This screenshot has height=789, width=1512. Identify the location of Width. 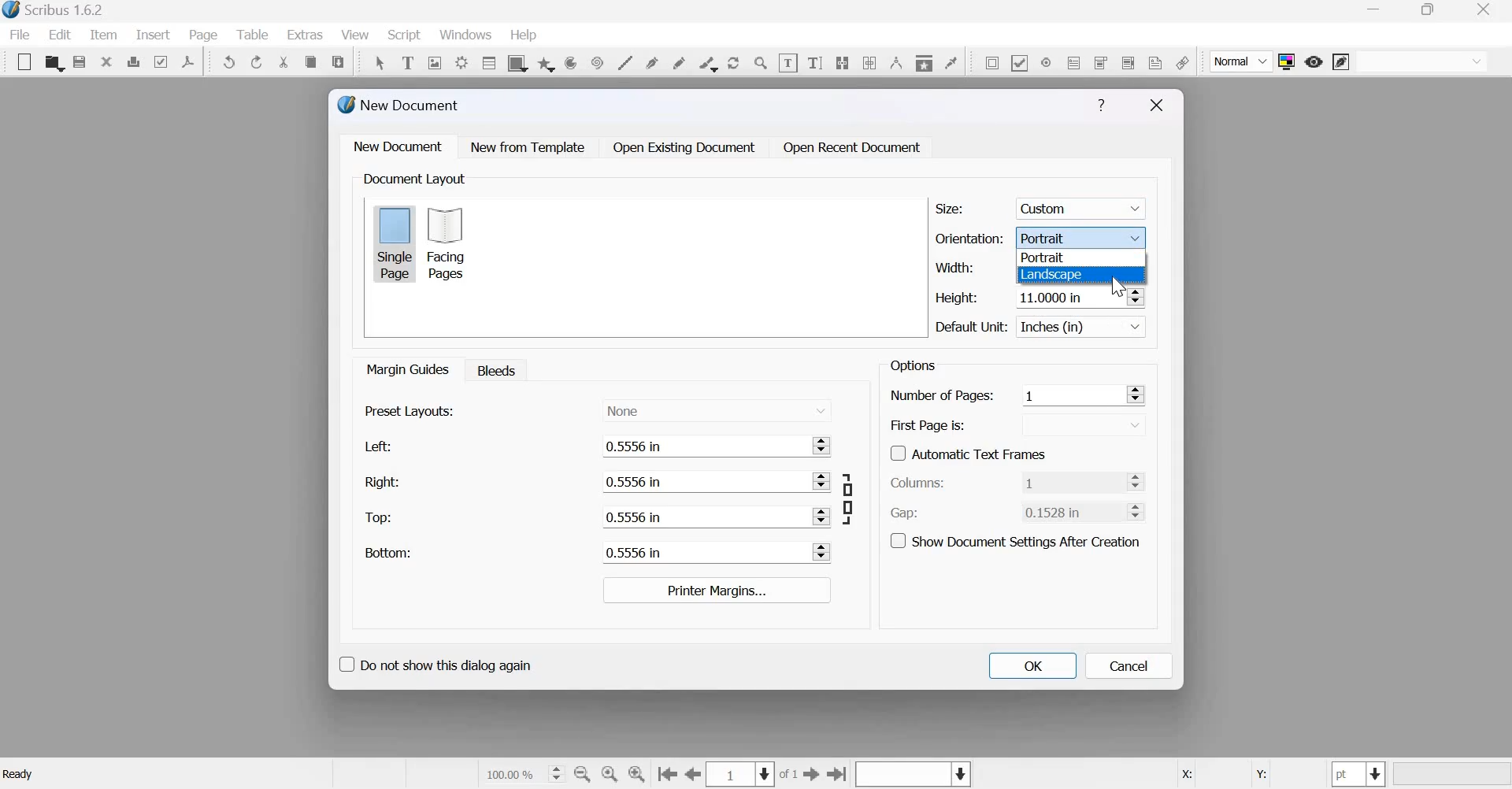
(954, 268).